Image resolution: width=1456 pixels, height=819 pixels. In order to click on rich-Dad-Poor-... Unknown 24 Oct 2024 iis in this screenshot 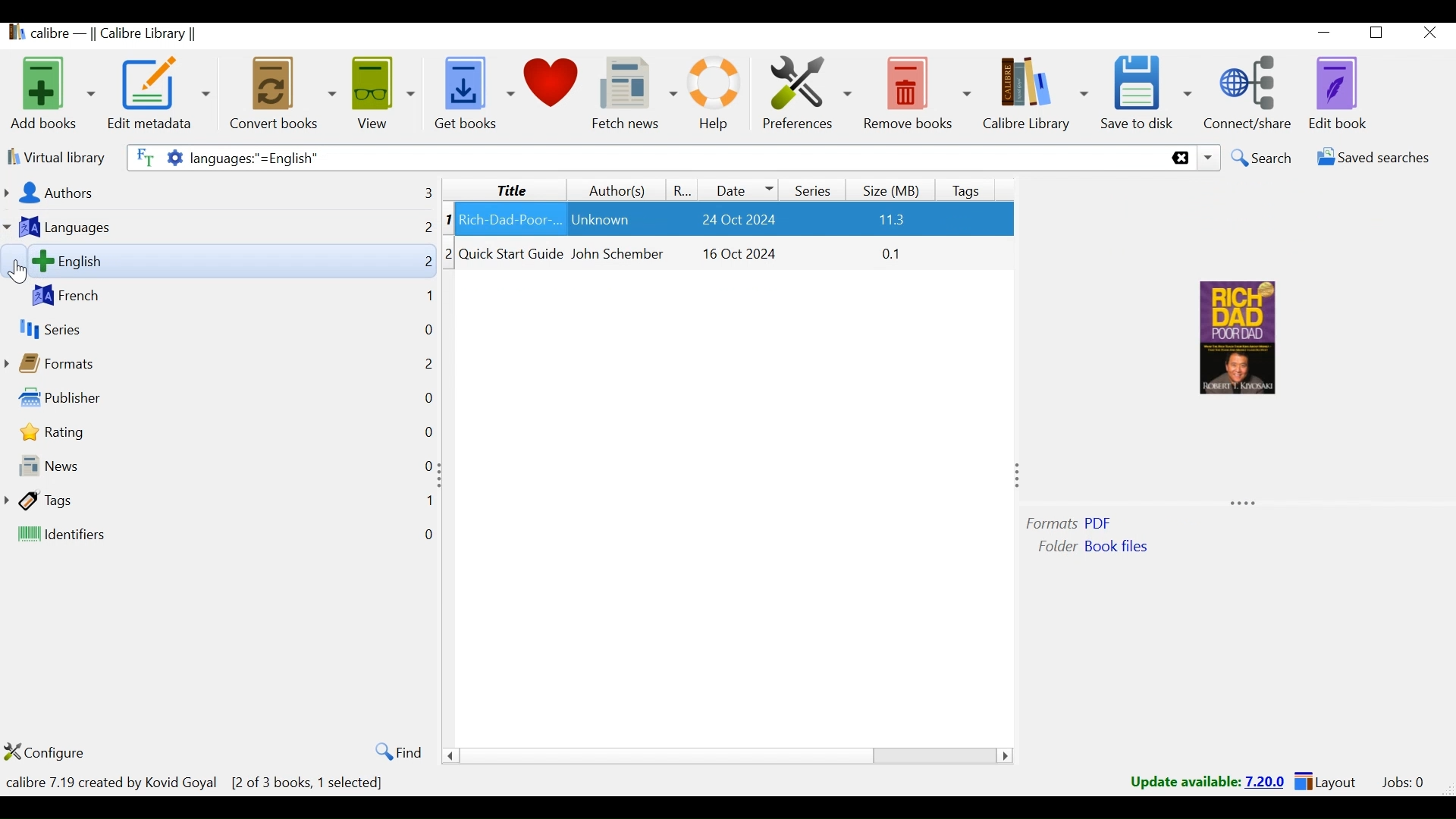, I will do `click(735, 256)`.